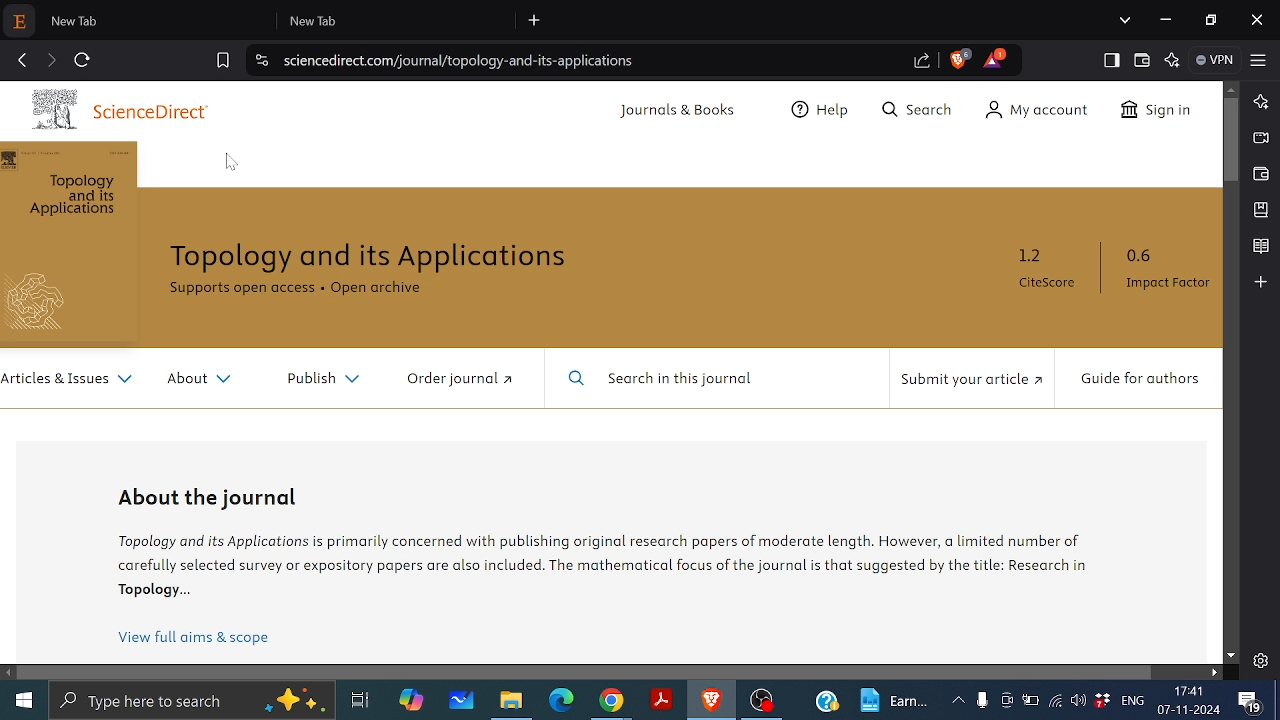 The image size is (1280, 720). What do you see at coordinates (1259, 61) in the screenshot?
I see `Customize and controll brave` at bounding box center [1259, 61].